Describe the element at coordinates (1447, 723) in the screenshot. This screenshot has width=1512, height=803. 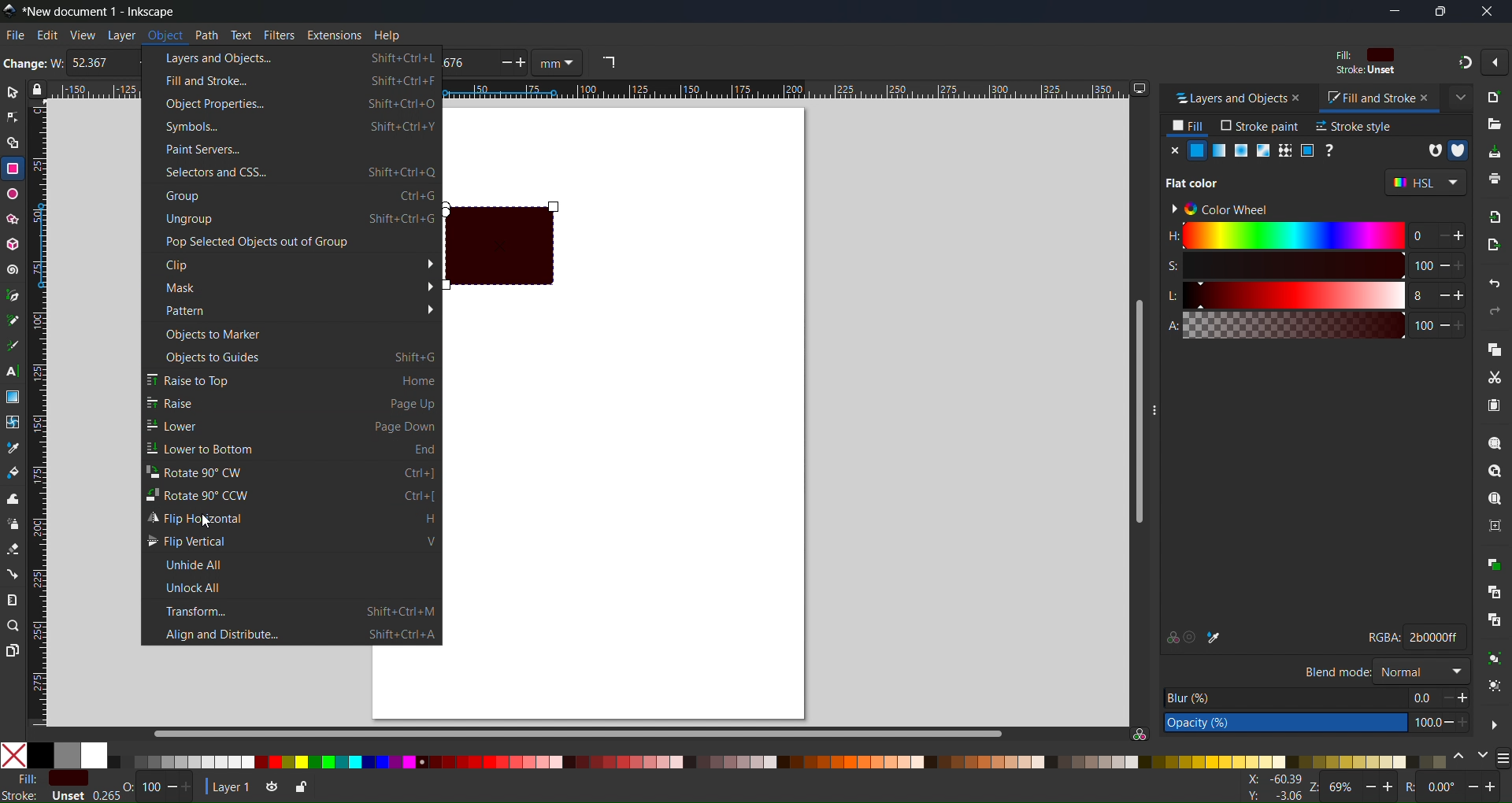
I see `decrease opacity` at that location.